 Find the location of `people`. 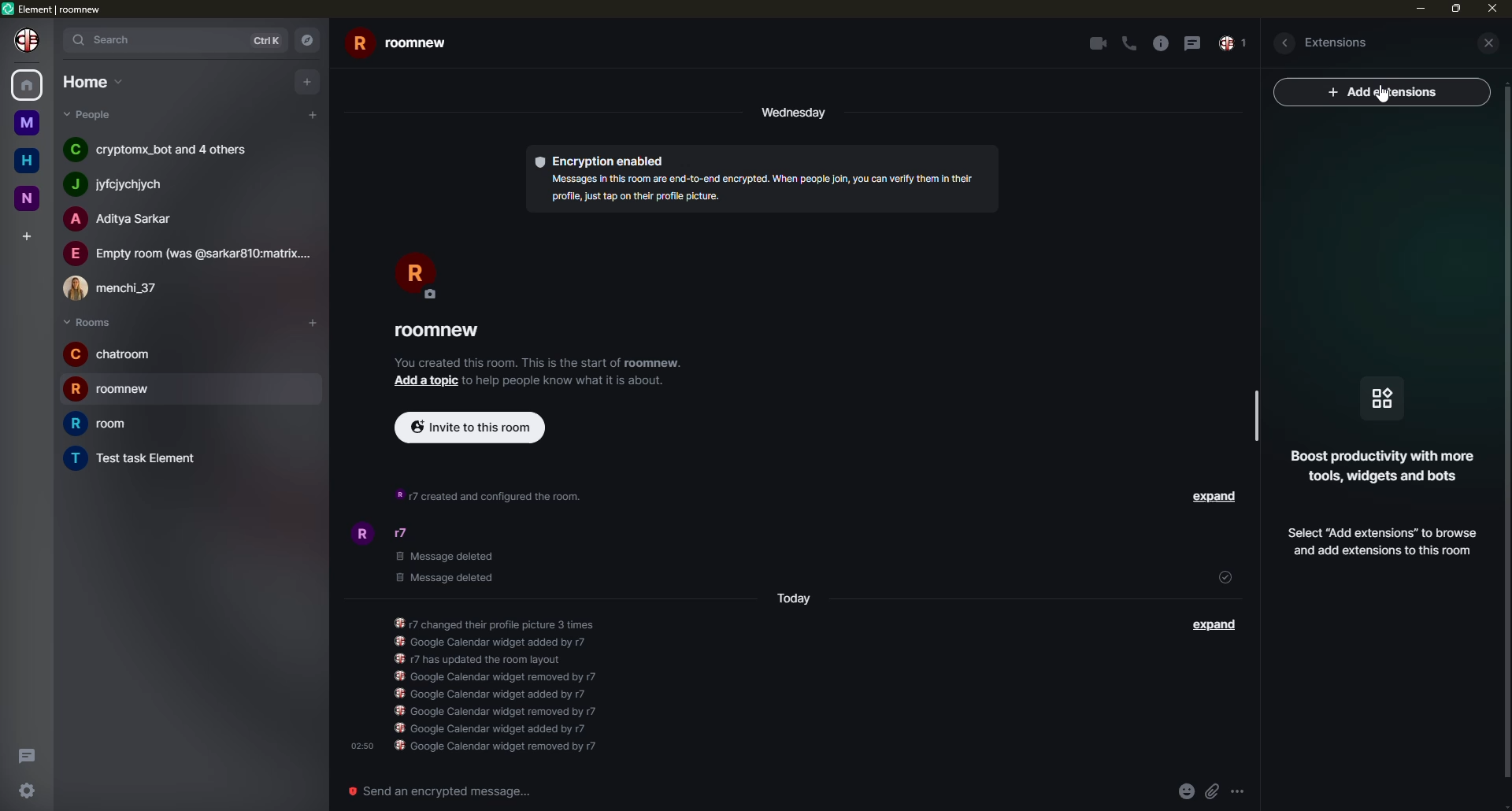

people is located at coordinates (125, 220).